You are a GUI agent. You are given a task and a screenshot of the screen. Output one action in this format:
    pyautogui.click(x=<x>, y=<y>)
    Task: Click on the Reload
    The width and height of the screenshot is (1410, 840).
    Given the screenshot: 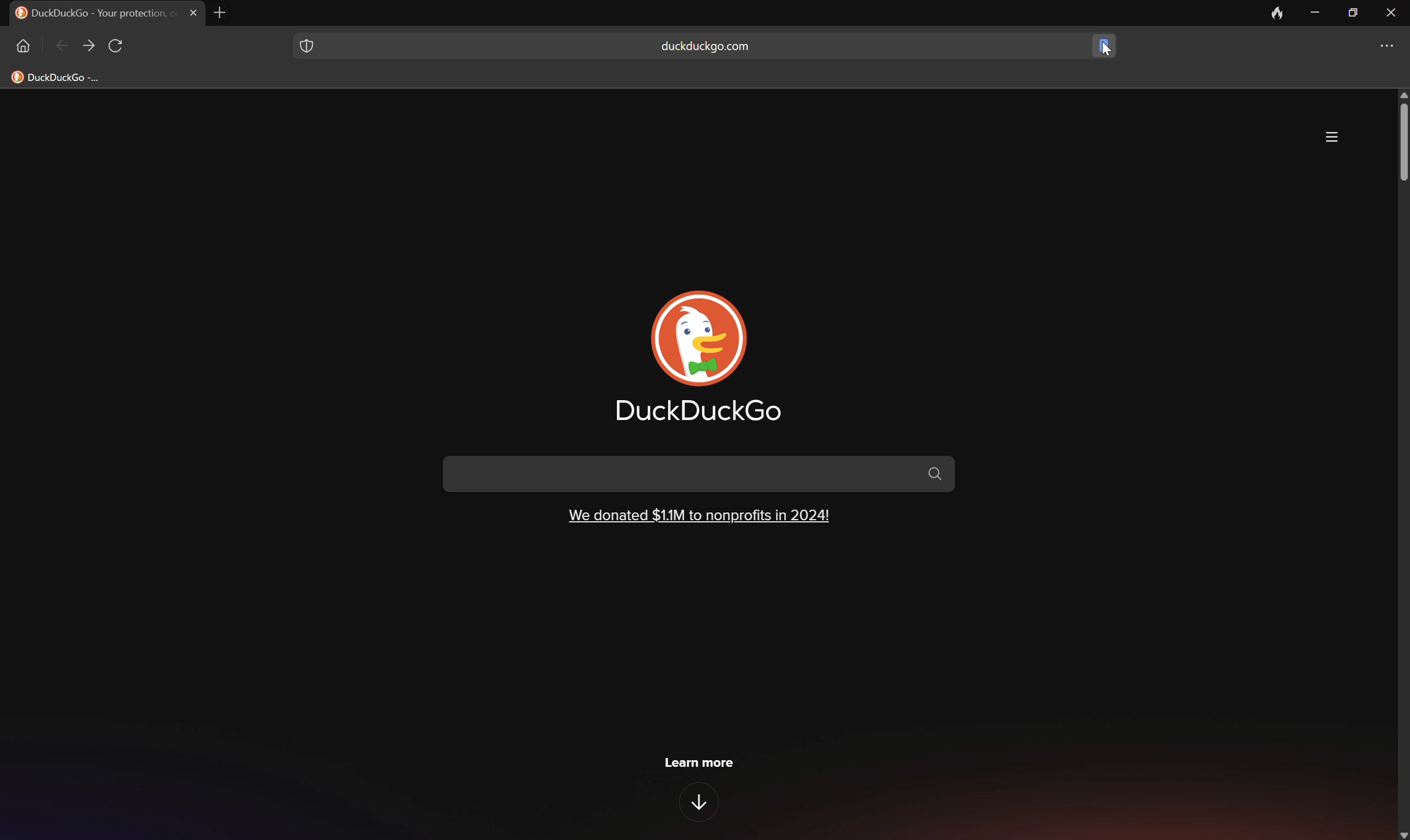 What is the action you would take?
    pyautogui.click(x=117, y=46)
    